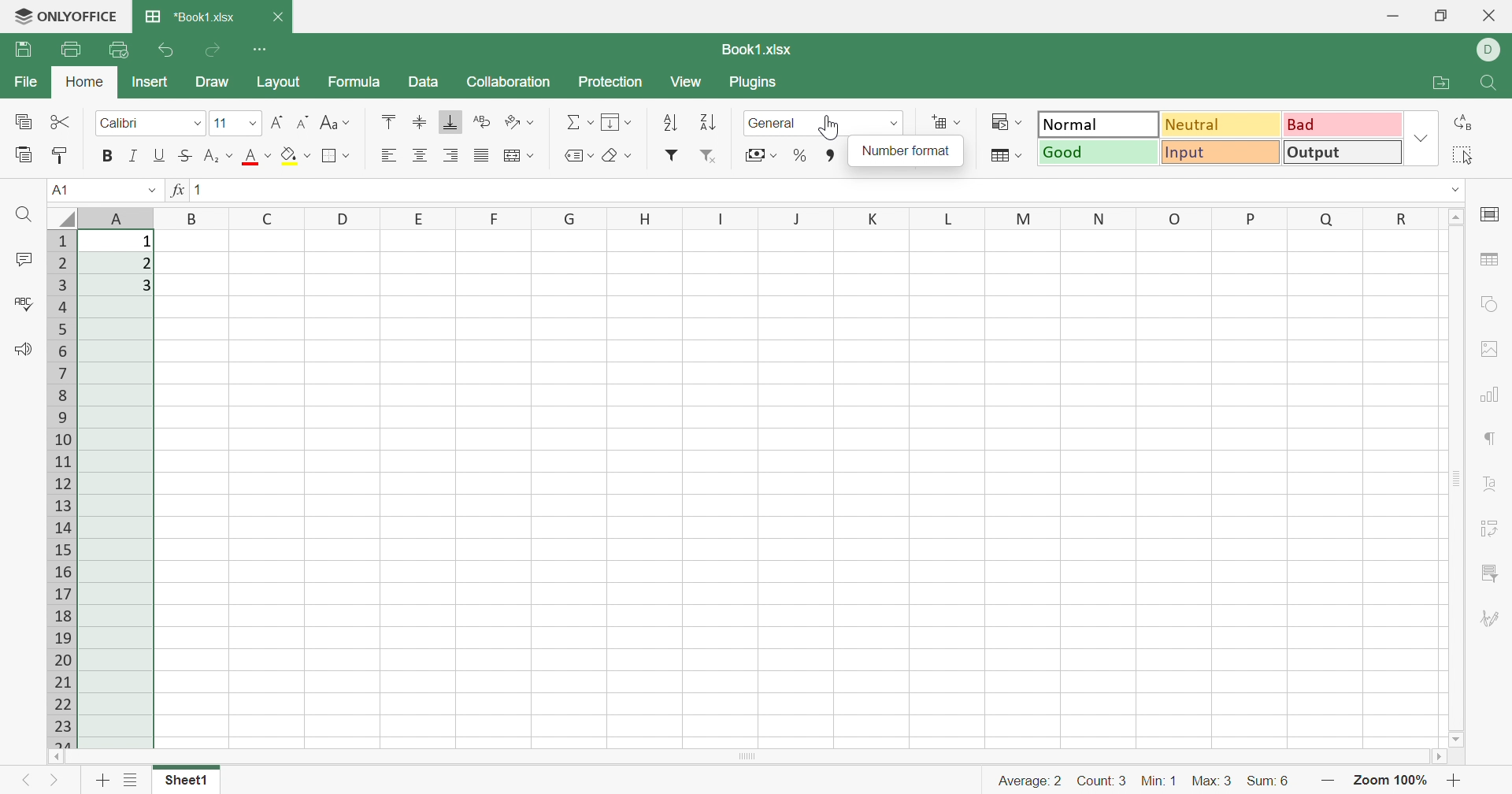 This screenshot has width=1512, height=794. I want to click on Align bottom, so click(448, 121).